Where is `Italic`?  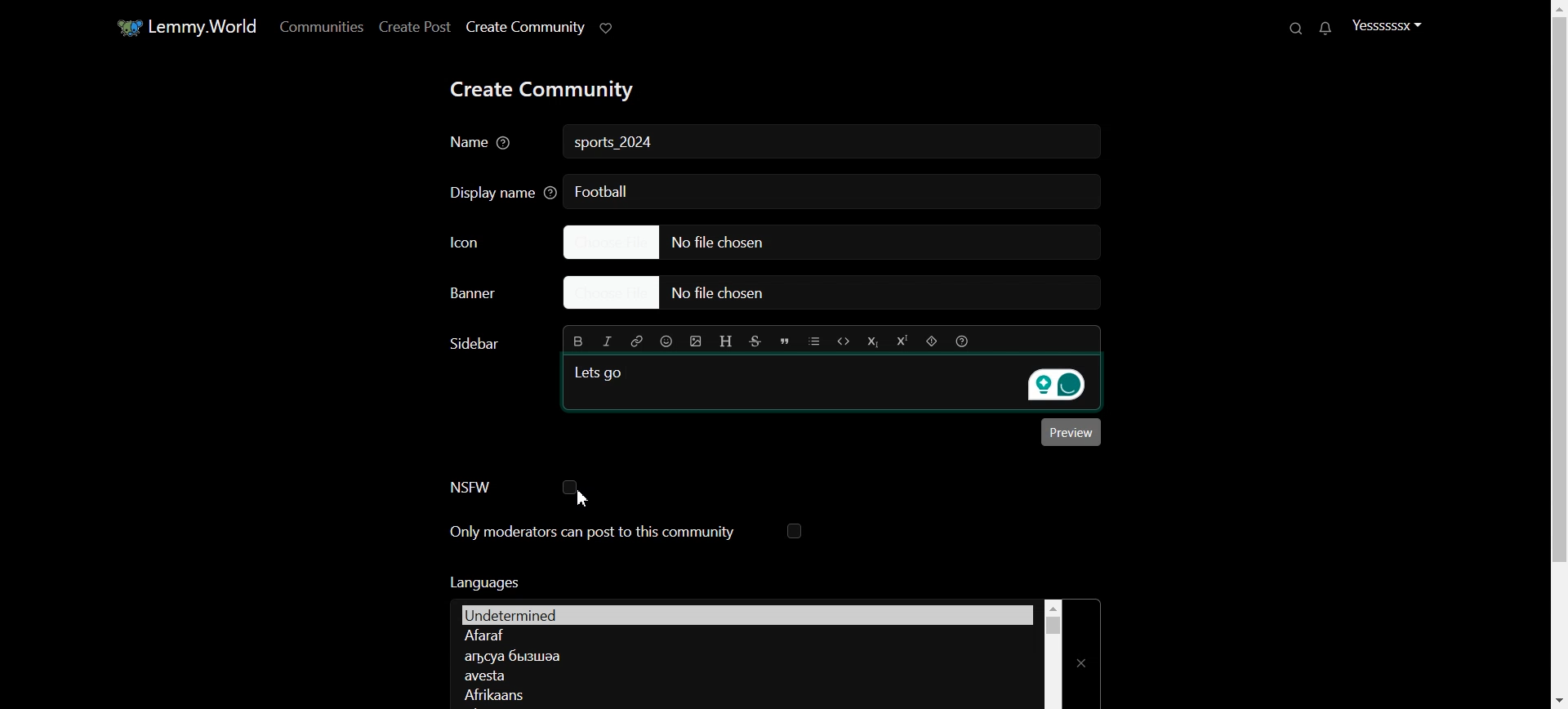 Italic is located at coordinates (608, 341).